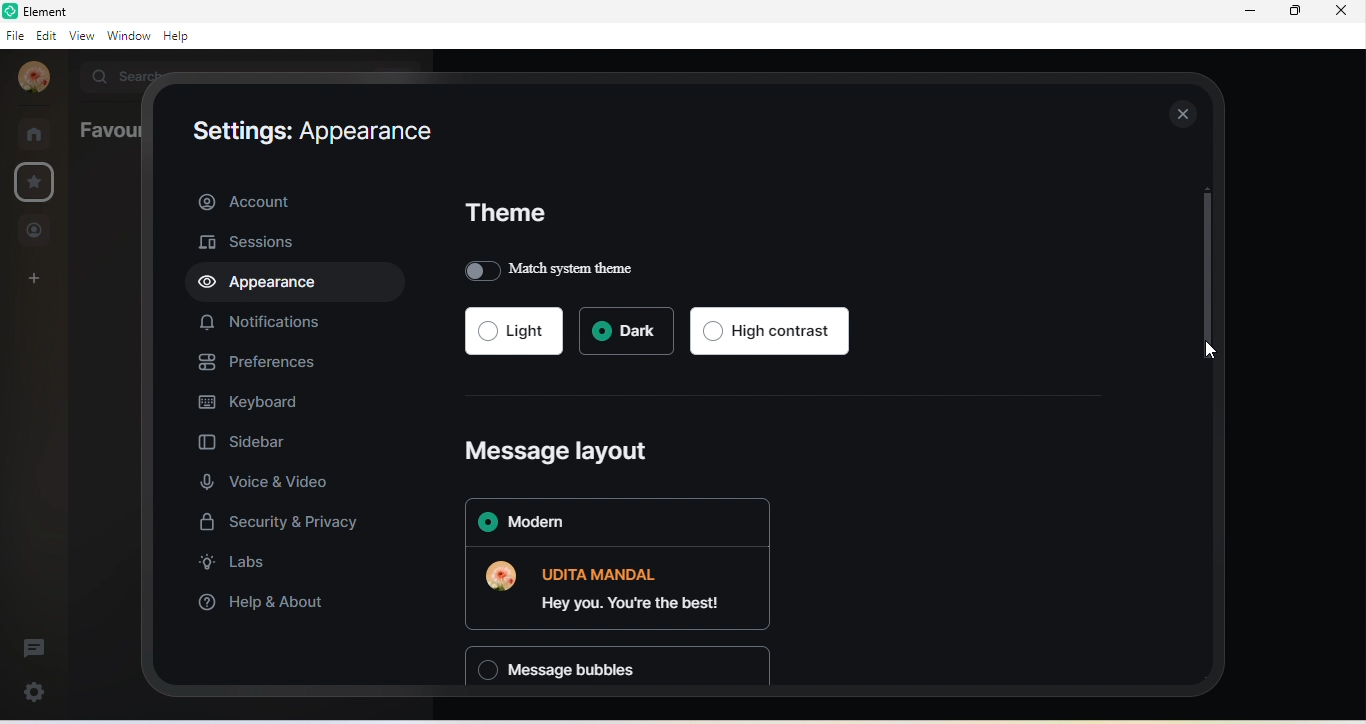 The width and height of the screenshot is (1366, 724). Describe the element at coordinates (34, 78) in the screenshot. I see `profile photo` at that location.